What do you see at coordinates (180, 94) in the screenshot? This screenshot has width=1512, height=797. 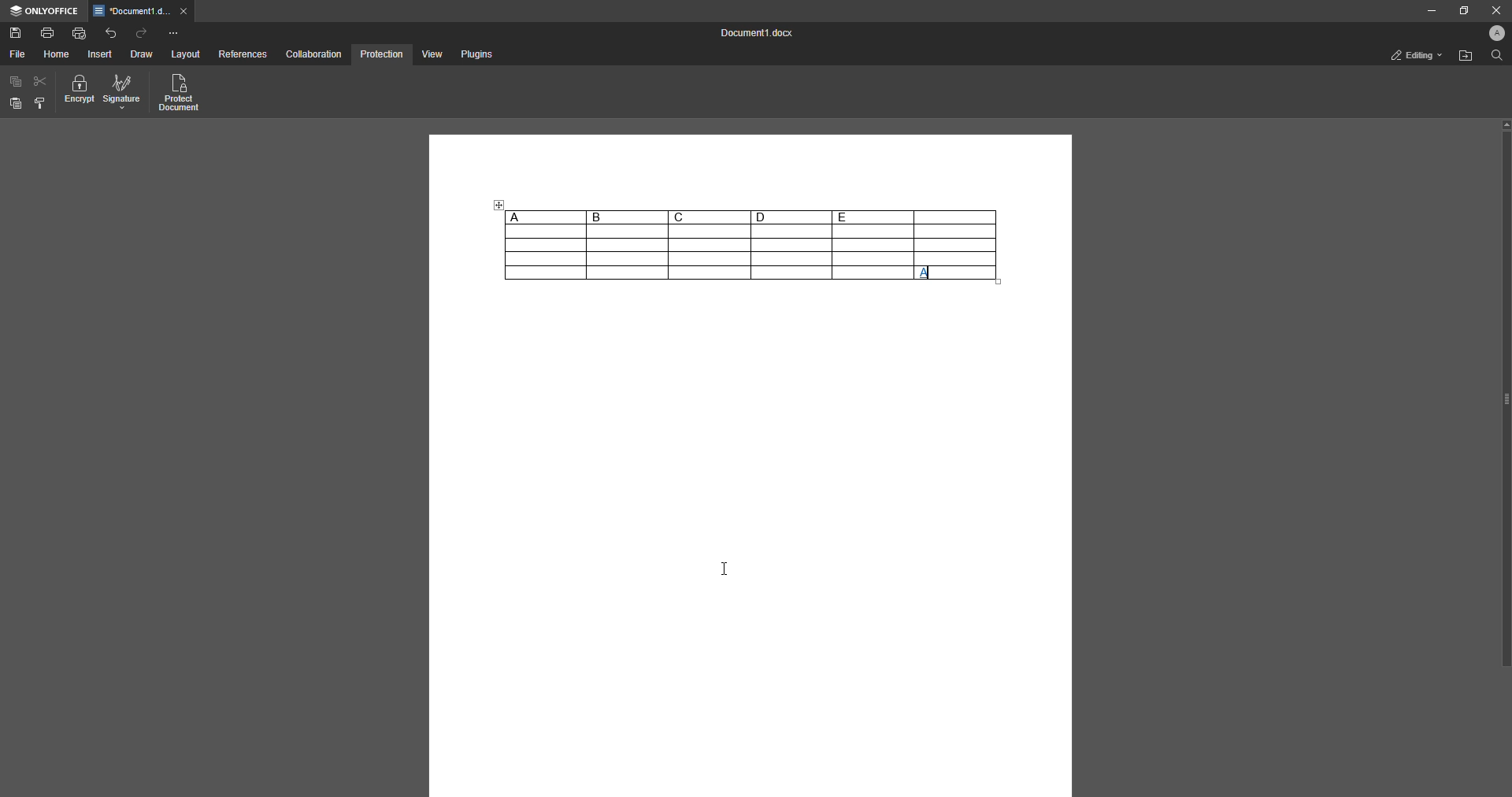 I see `Protected Document` at bounding box center [180, 94].